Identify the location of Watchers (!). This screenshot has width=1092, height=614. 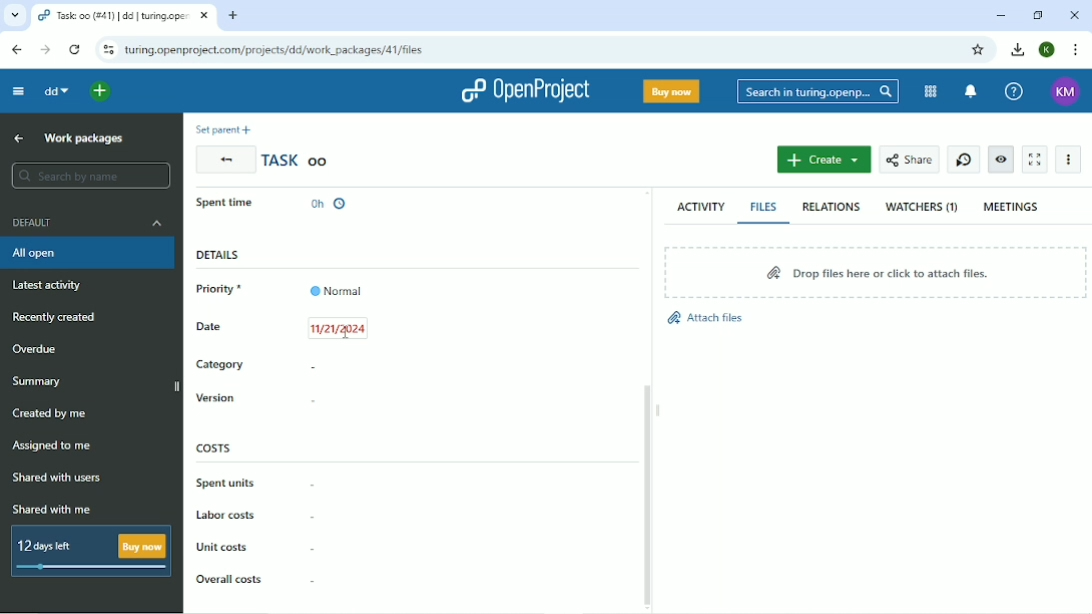
(922, 208).